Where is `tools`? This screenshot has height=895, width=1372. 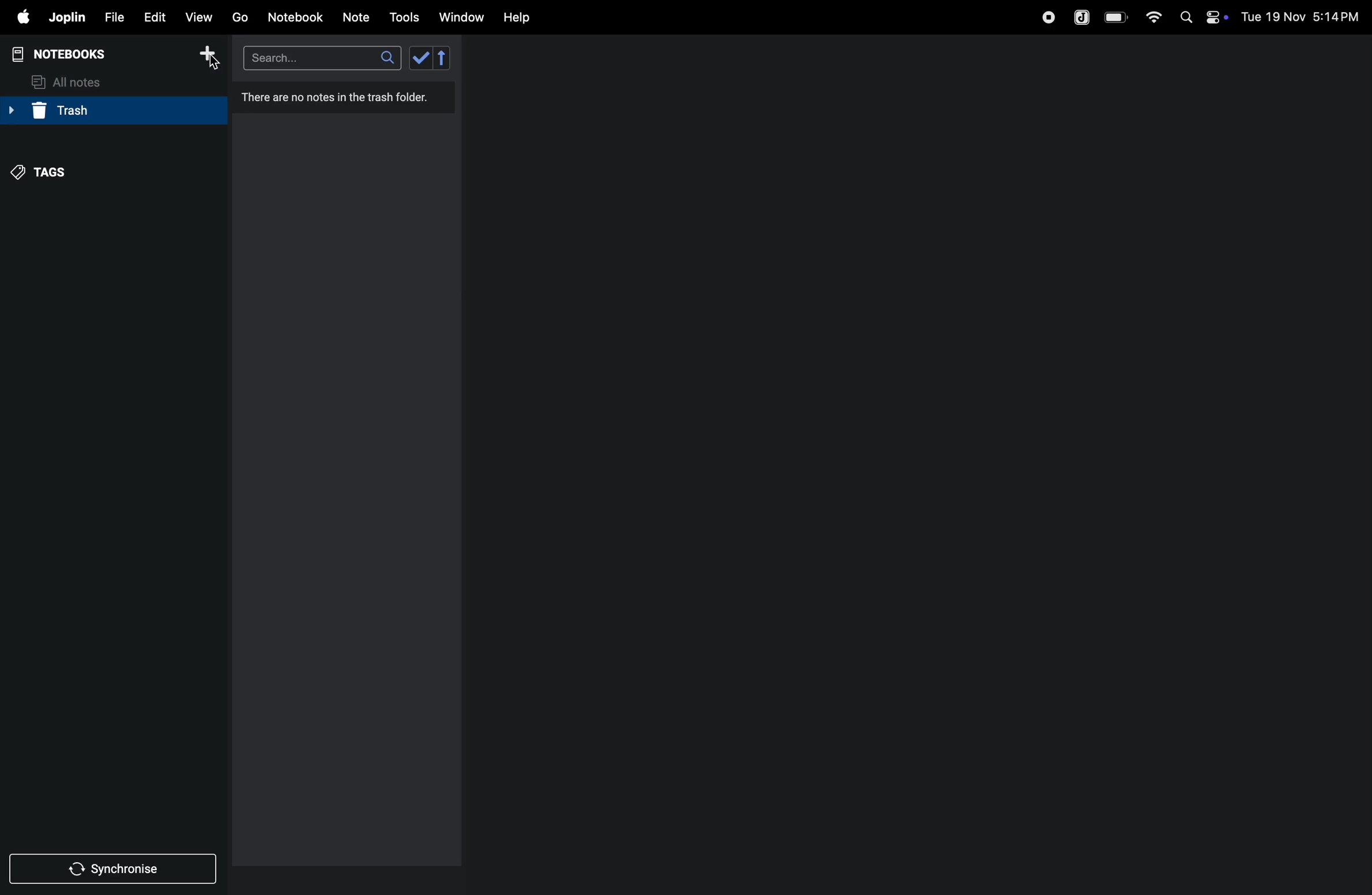 tools is located at coordinates (402, 17).